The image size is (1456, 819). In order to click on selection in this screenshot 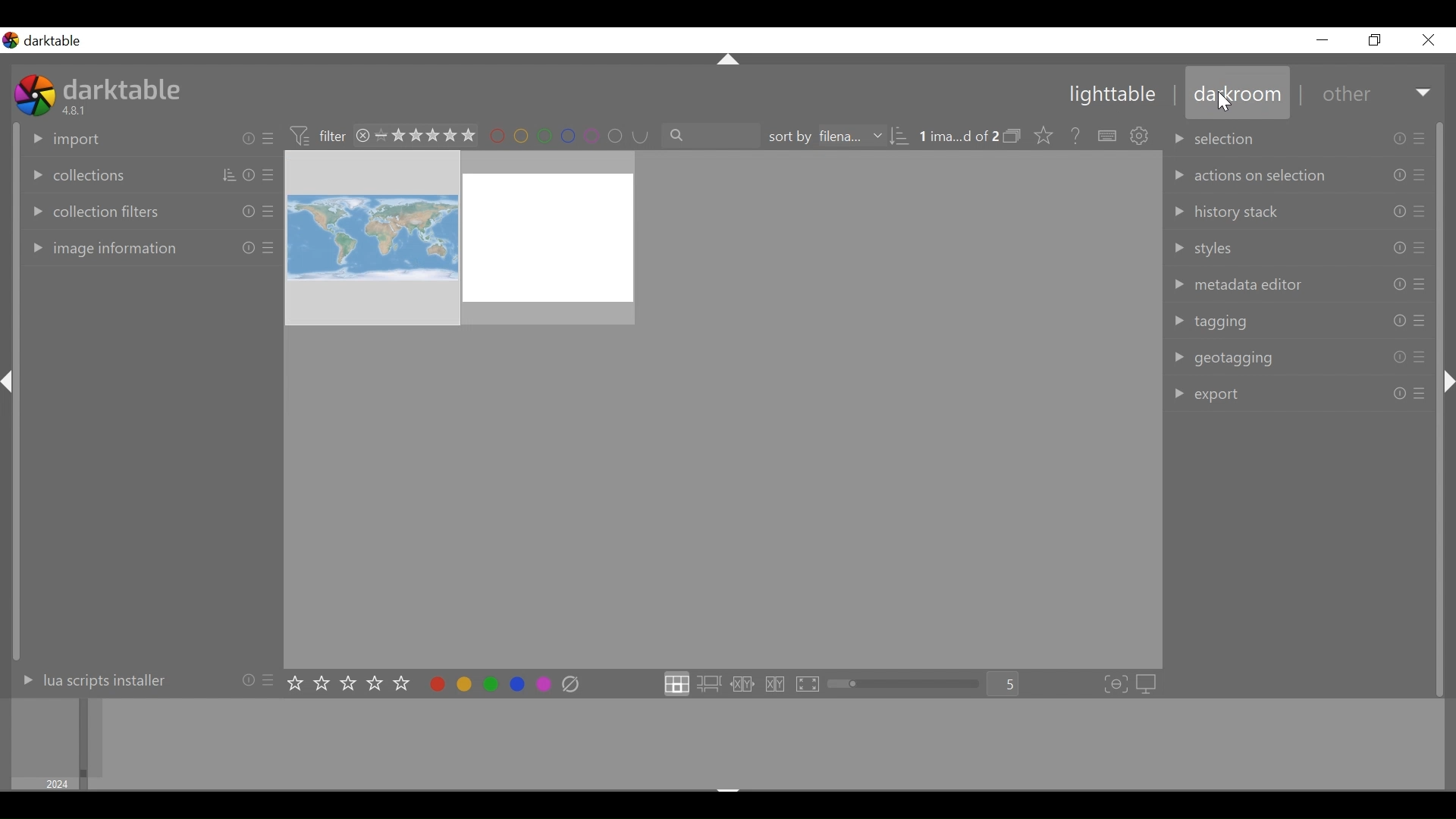, I will do `click(1294, 137)`.